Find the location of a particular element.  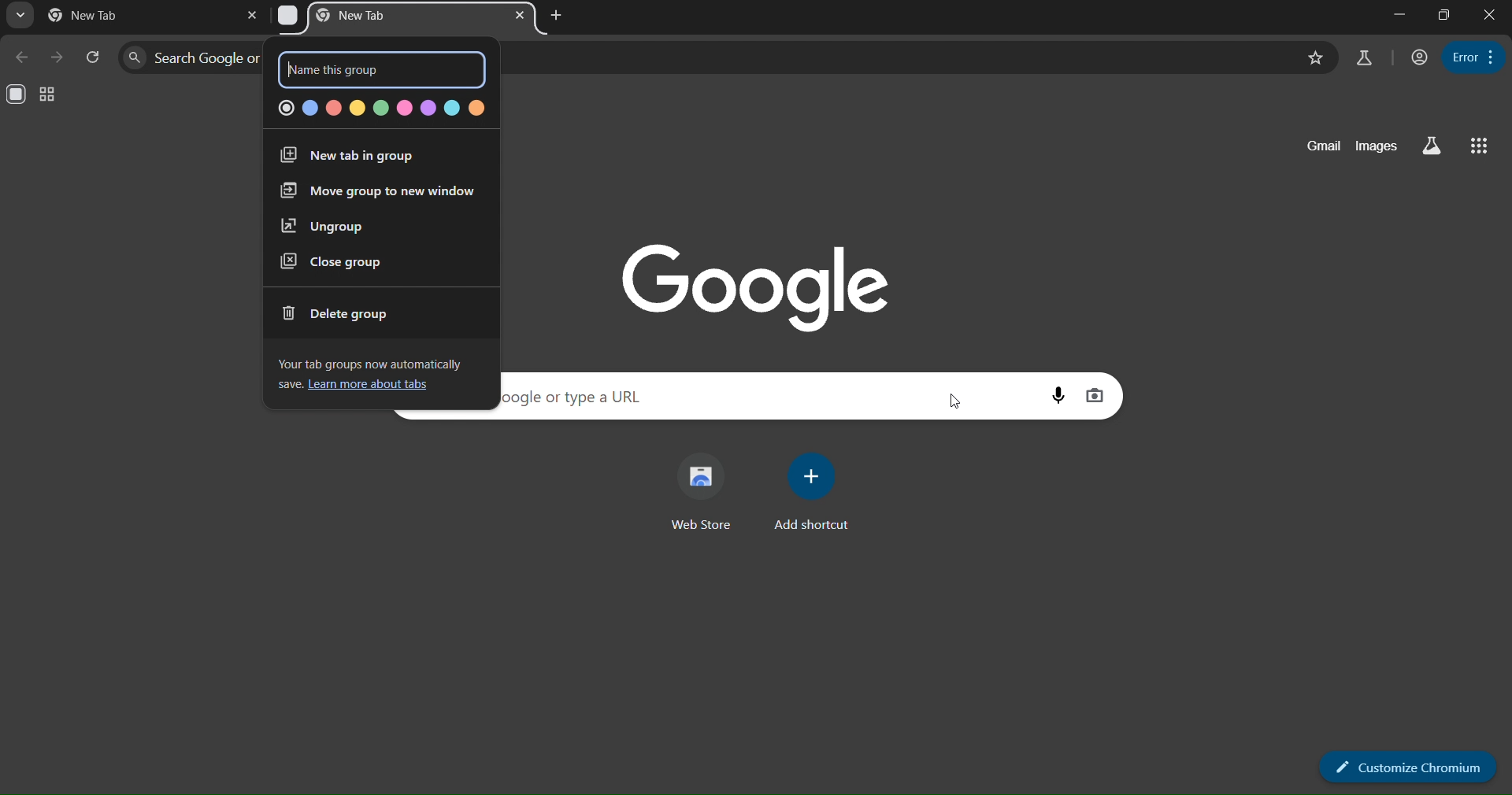

cursor is located at coordinates (948, 401).